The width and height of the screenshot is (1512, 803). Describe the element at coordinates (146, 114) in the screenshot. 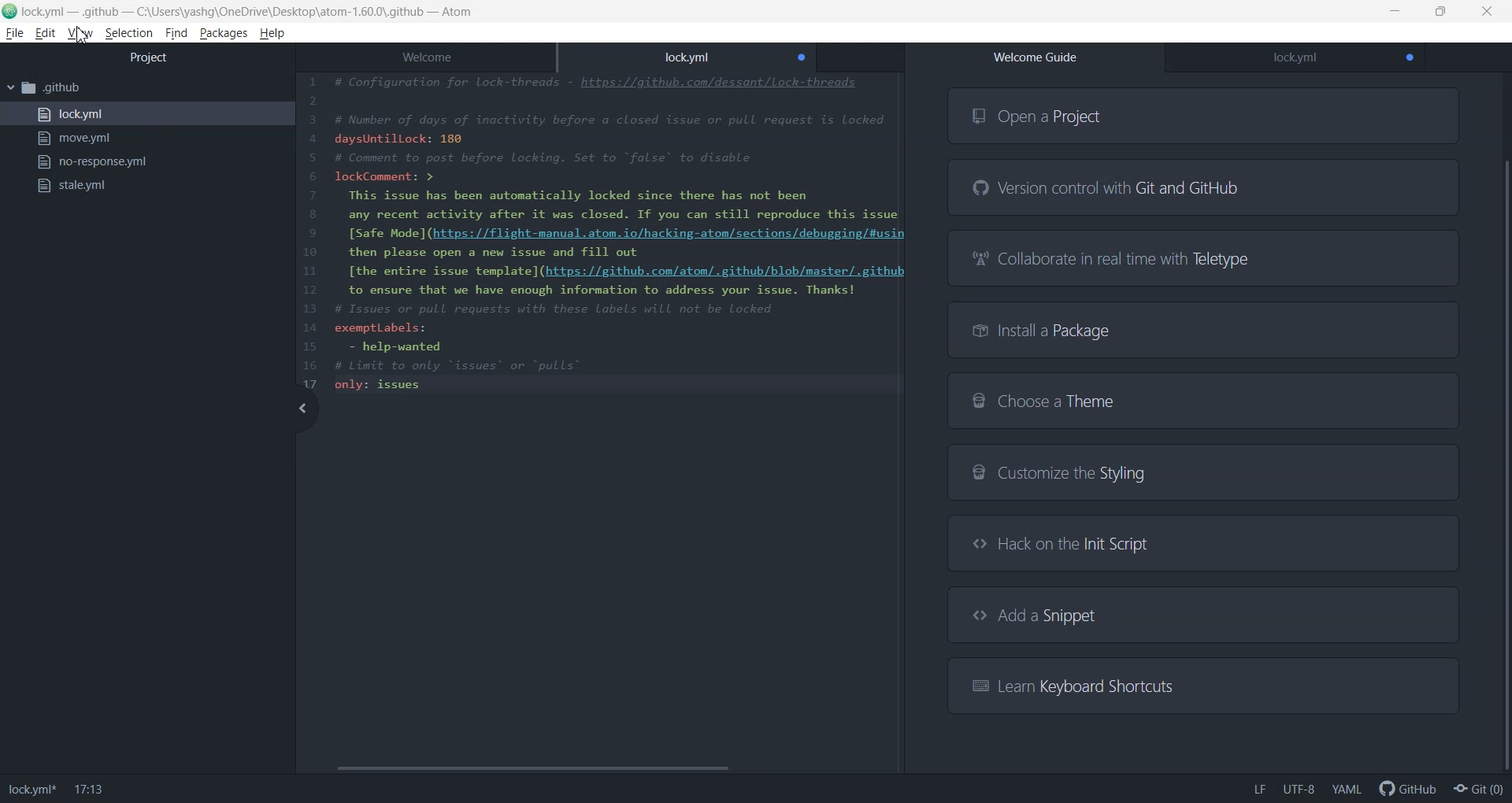

I see `lock.yml` at that location.